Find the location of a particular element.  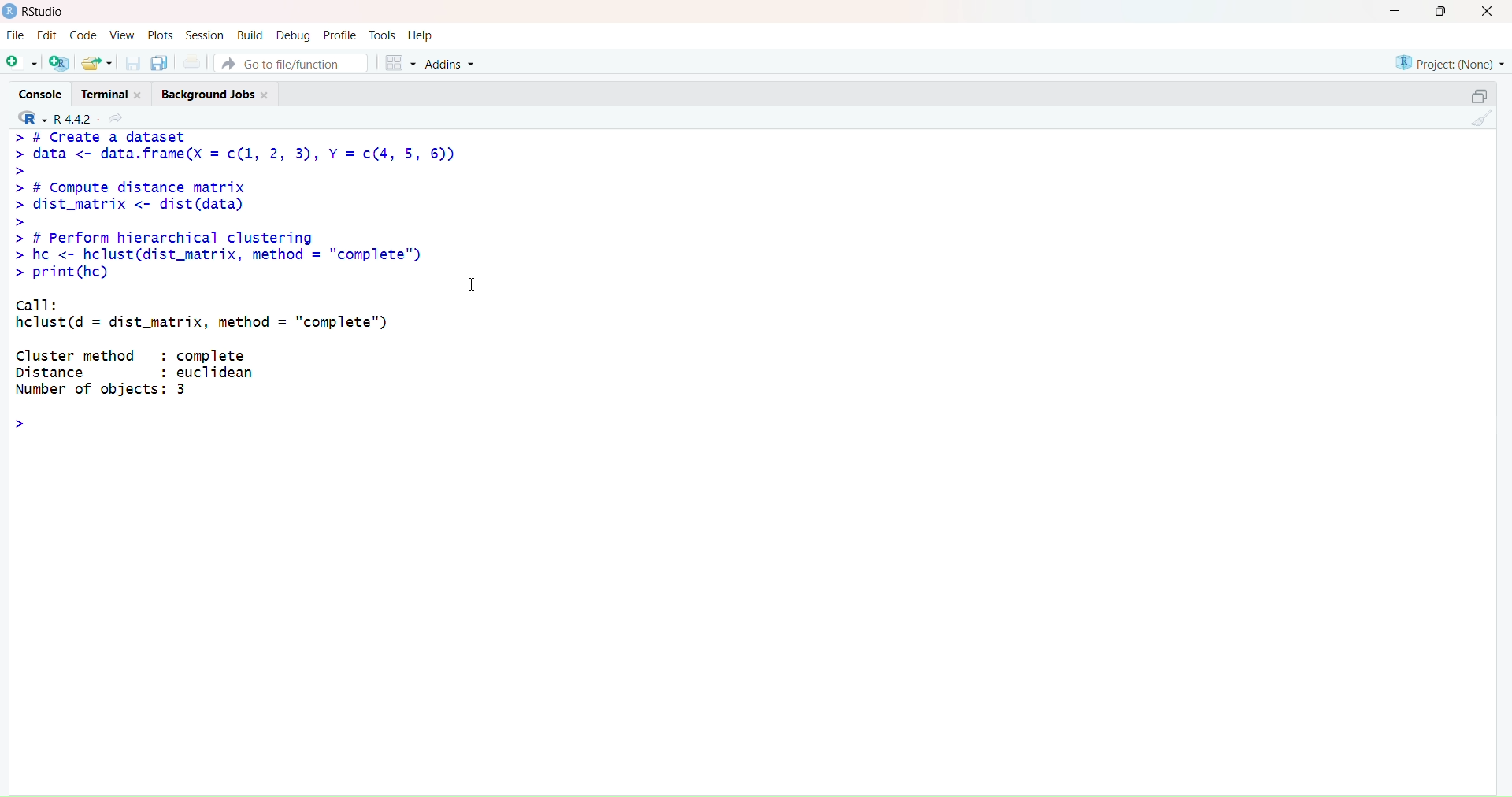

> # L(reatc a dataset

> data <- data.frame(X = c(1, 2, 3), Y = c(4, 5, 6))
>

> # Compute distance matrix

> dist_matrix <- dist(data)

>

> # Perform hierarchical clustering

> hc <- hclust(dist_matrix, method = "complete")
> print(hc)

call:

hclust(d = dist_matrix, method = "complete")
Cluster method : complete

Distance : euclidean

Number of objects: 3 is located at coordinates (239, 270).